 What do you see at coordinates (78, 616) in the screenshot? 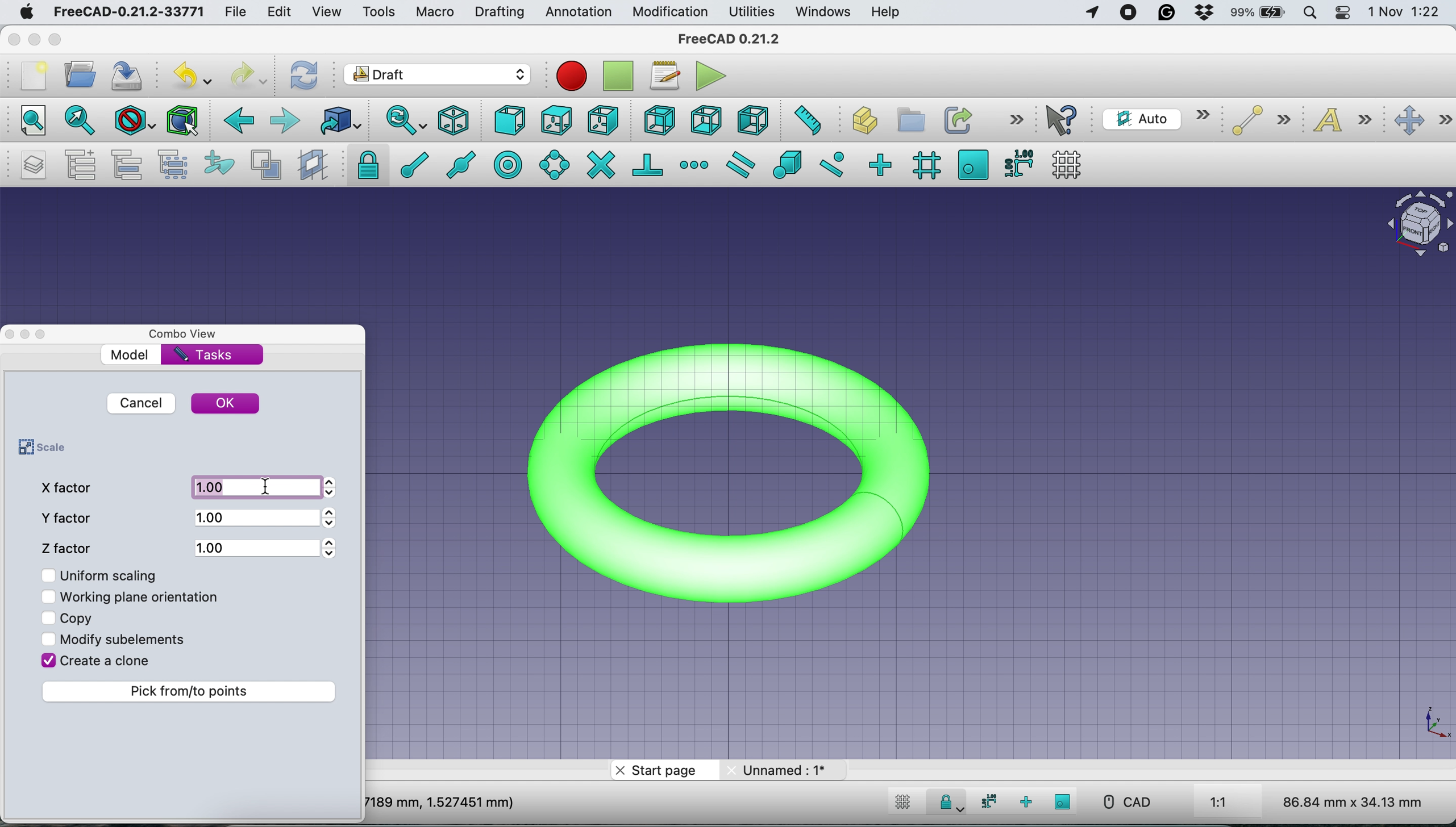
I see `copy` at bounding box center [78, 616].